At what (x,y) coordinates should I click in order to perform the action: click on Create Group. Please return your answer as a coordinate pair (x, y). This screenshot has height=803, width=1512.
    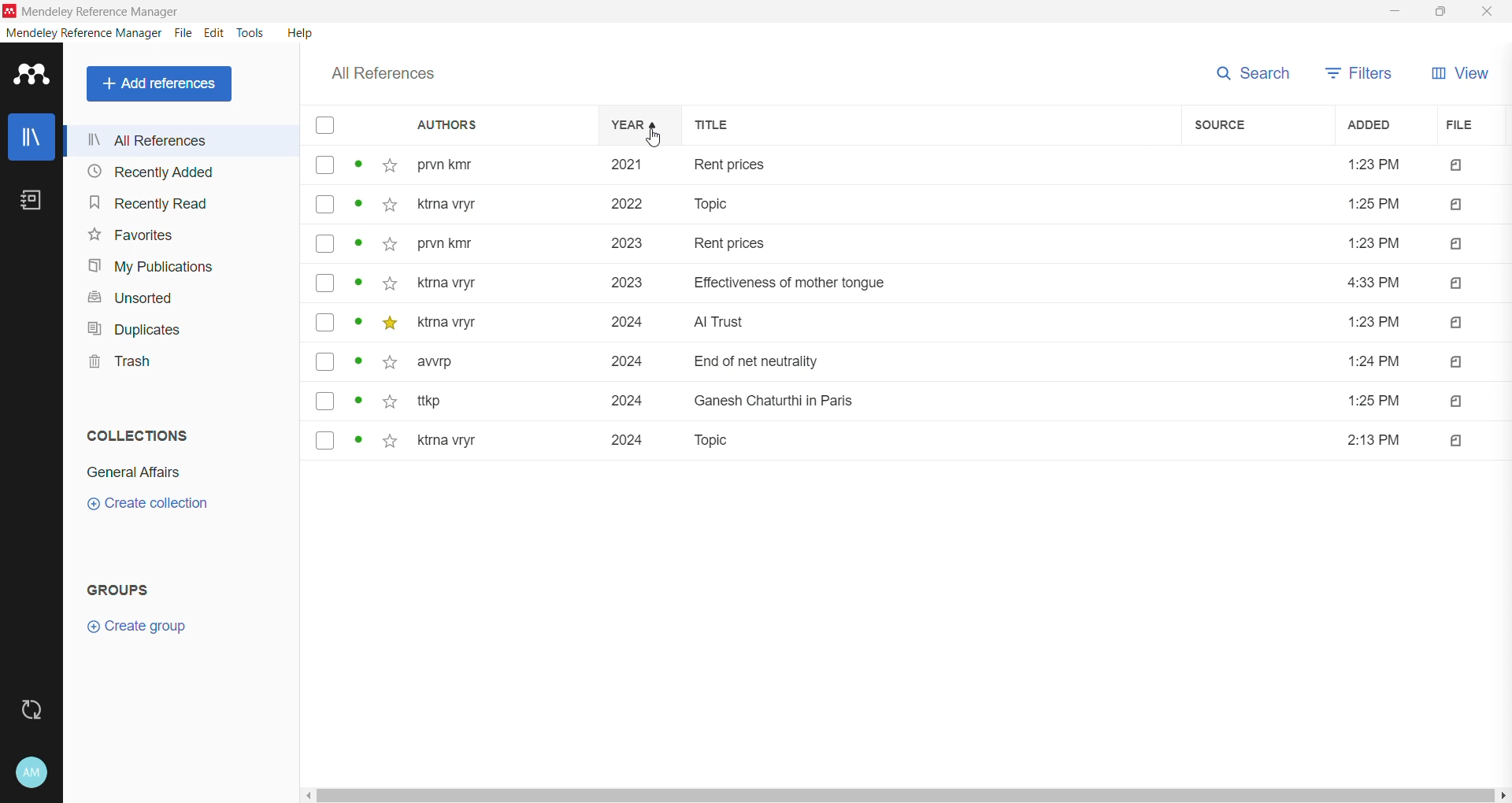
    Looking at the image, I should click on (151, 629).